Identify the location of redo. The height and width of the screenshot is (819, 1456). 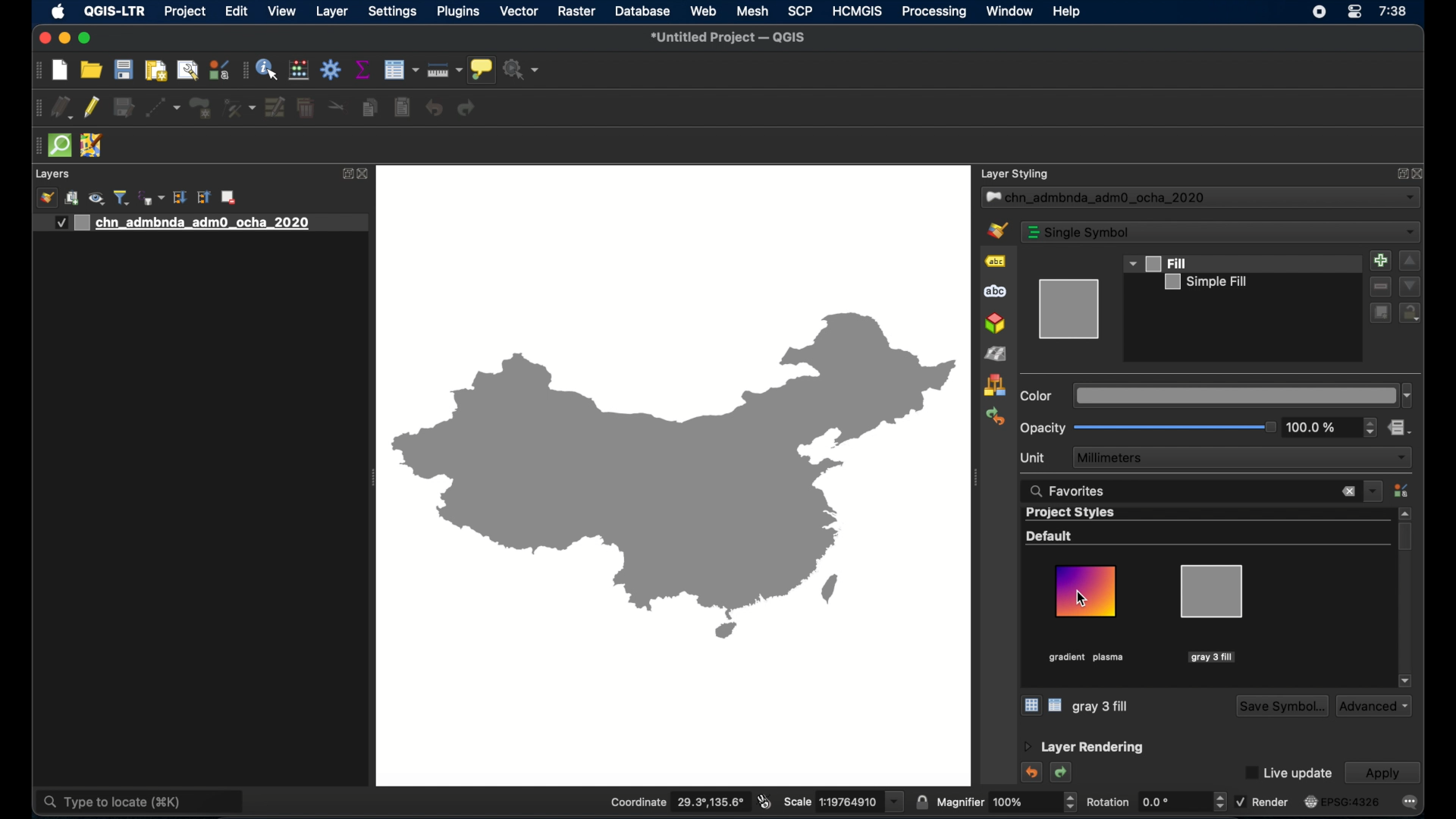
(1062, 773).